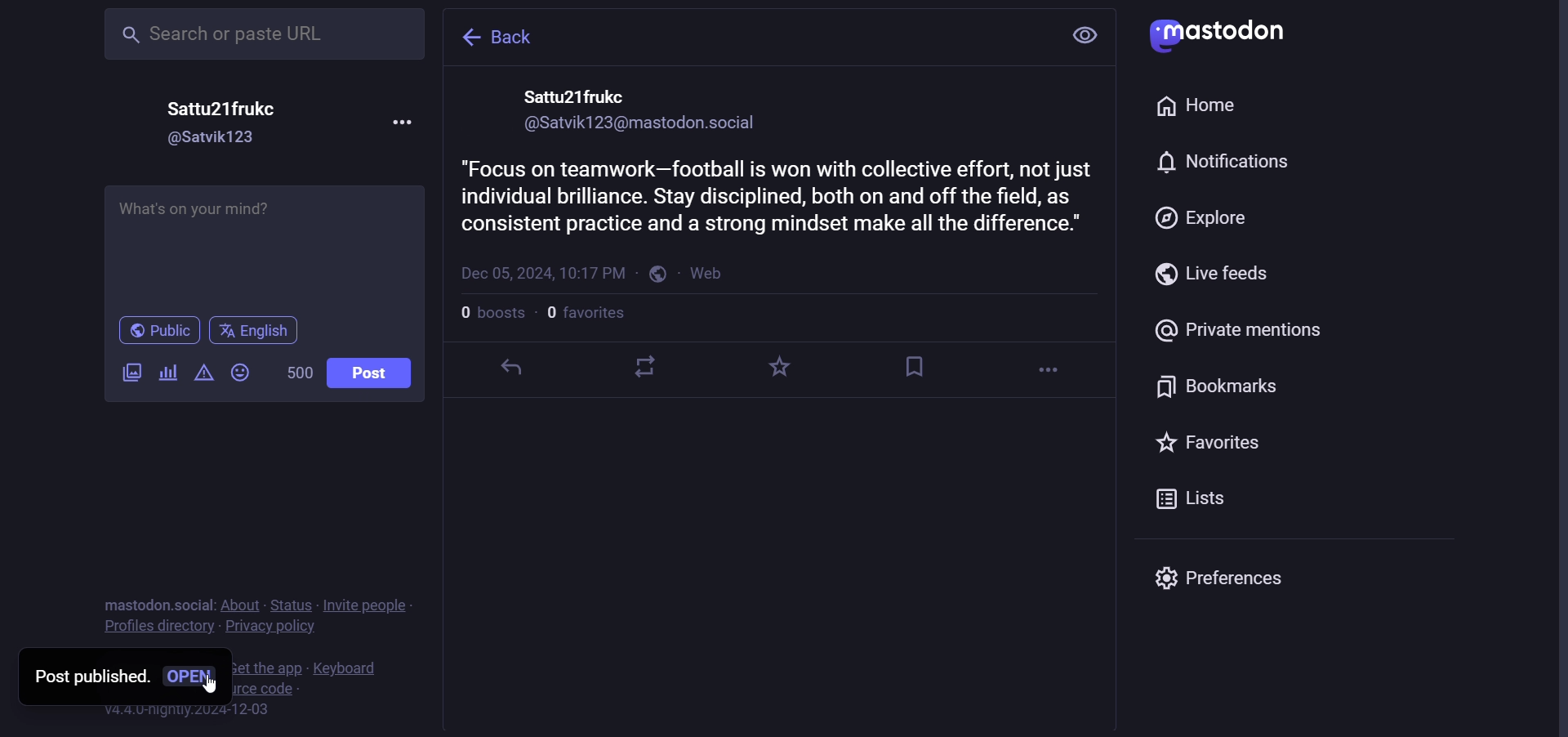 The height and width of the screenshot is (737, 1568). Describe the element at coordinates (783, 362) in the screenshot. I see `favorite` at that location.